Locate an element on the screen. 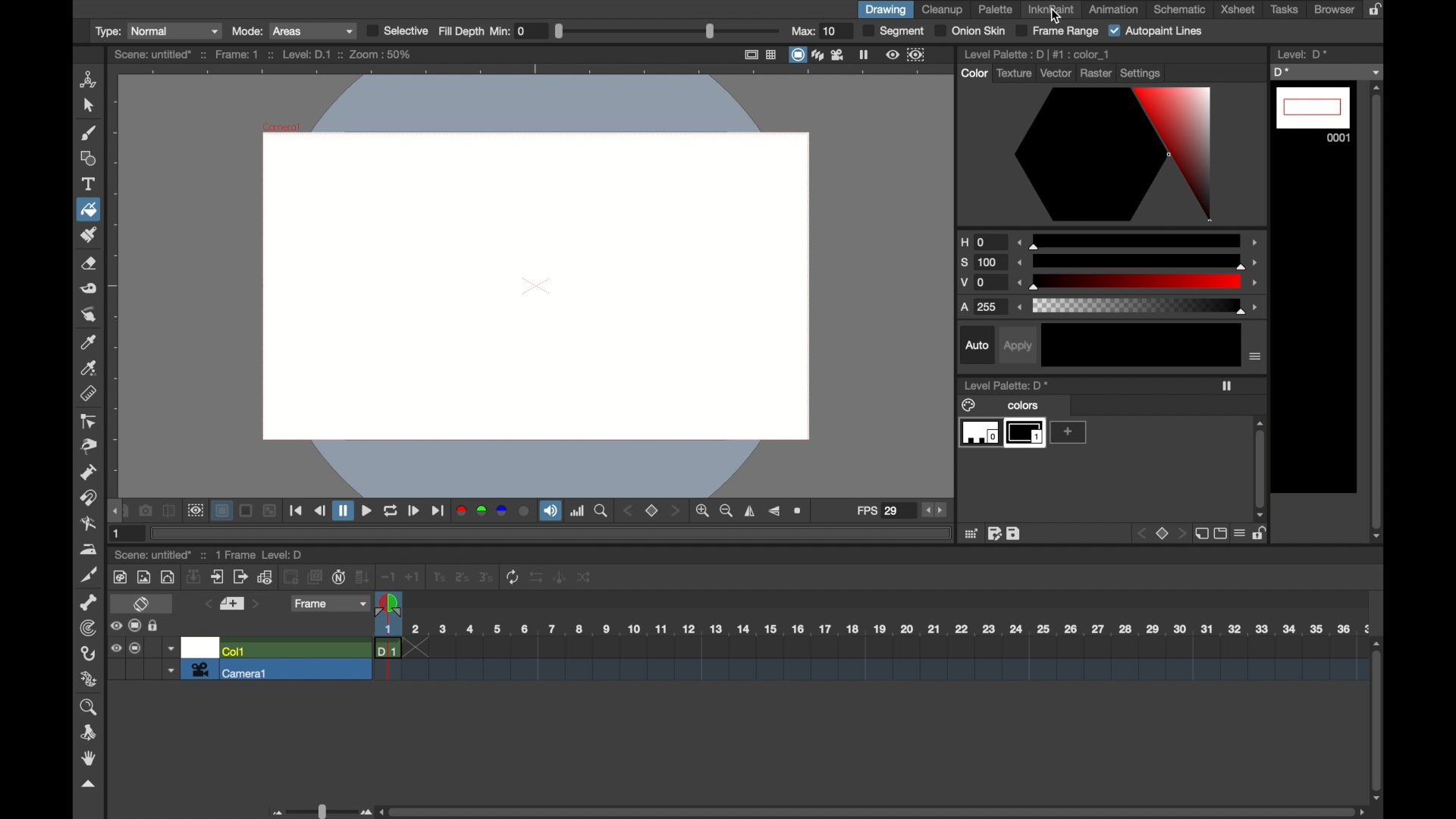 Image resolution: width=1456 pixels, height=819 pixels. back is located at coordinates (292, 577).